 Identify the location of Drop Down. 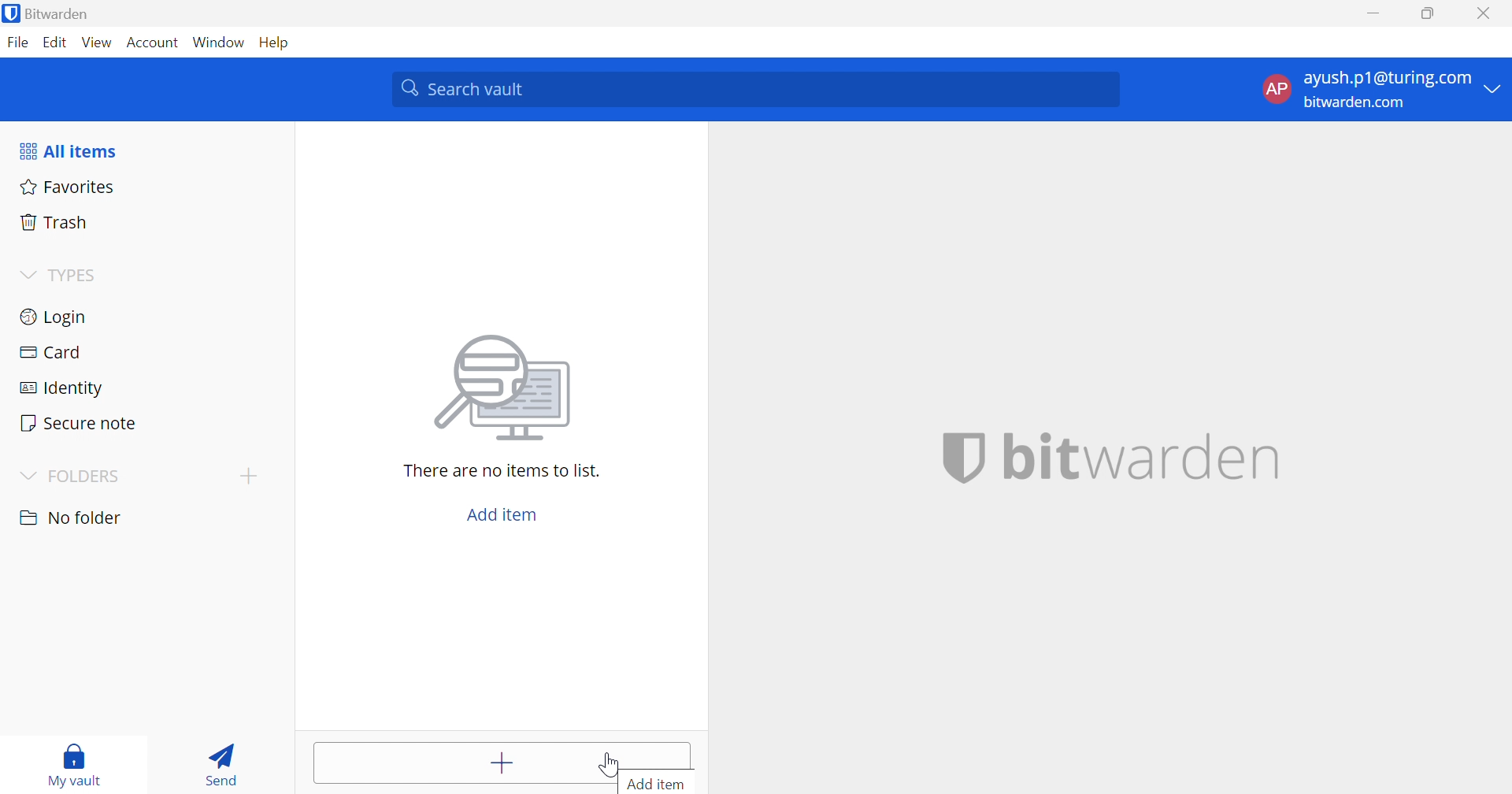
(27, 275).